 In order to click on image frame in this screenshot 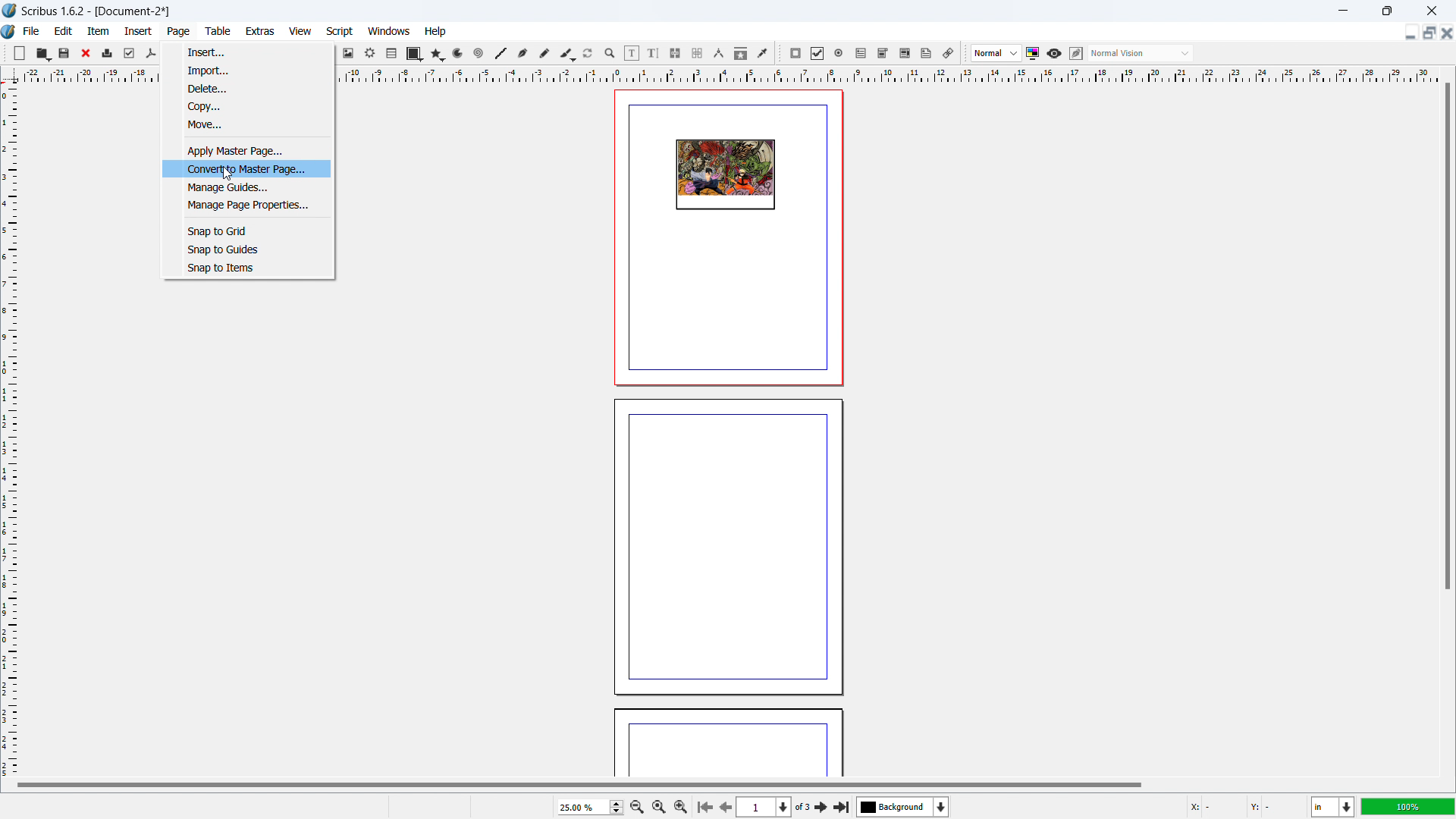, I will do `click(348, 52)`.